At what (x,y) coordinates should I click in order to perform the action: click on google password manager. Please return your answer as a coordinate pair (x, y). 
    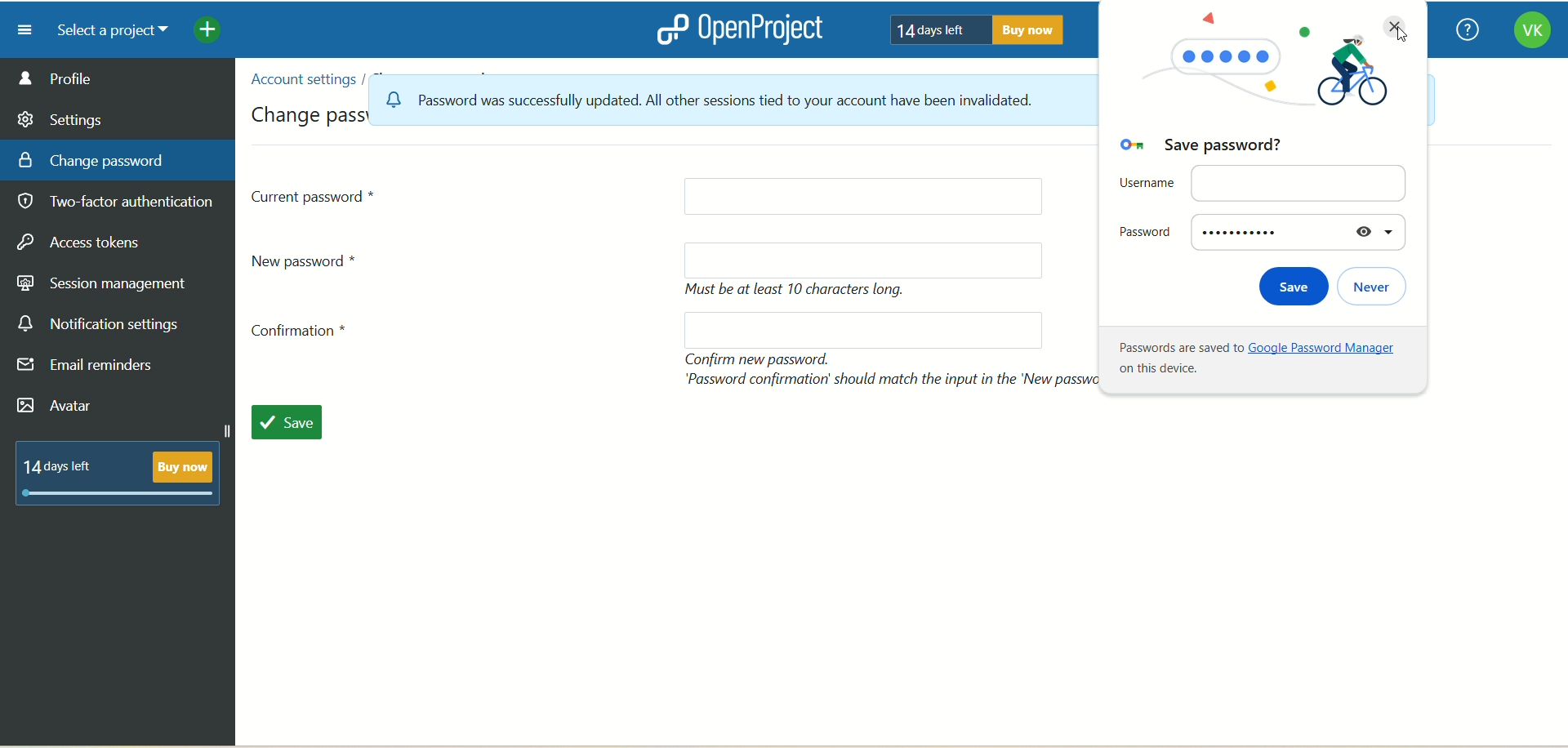
    Looking at the image, I should click on (1267, 363).